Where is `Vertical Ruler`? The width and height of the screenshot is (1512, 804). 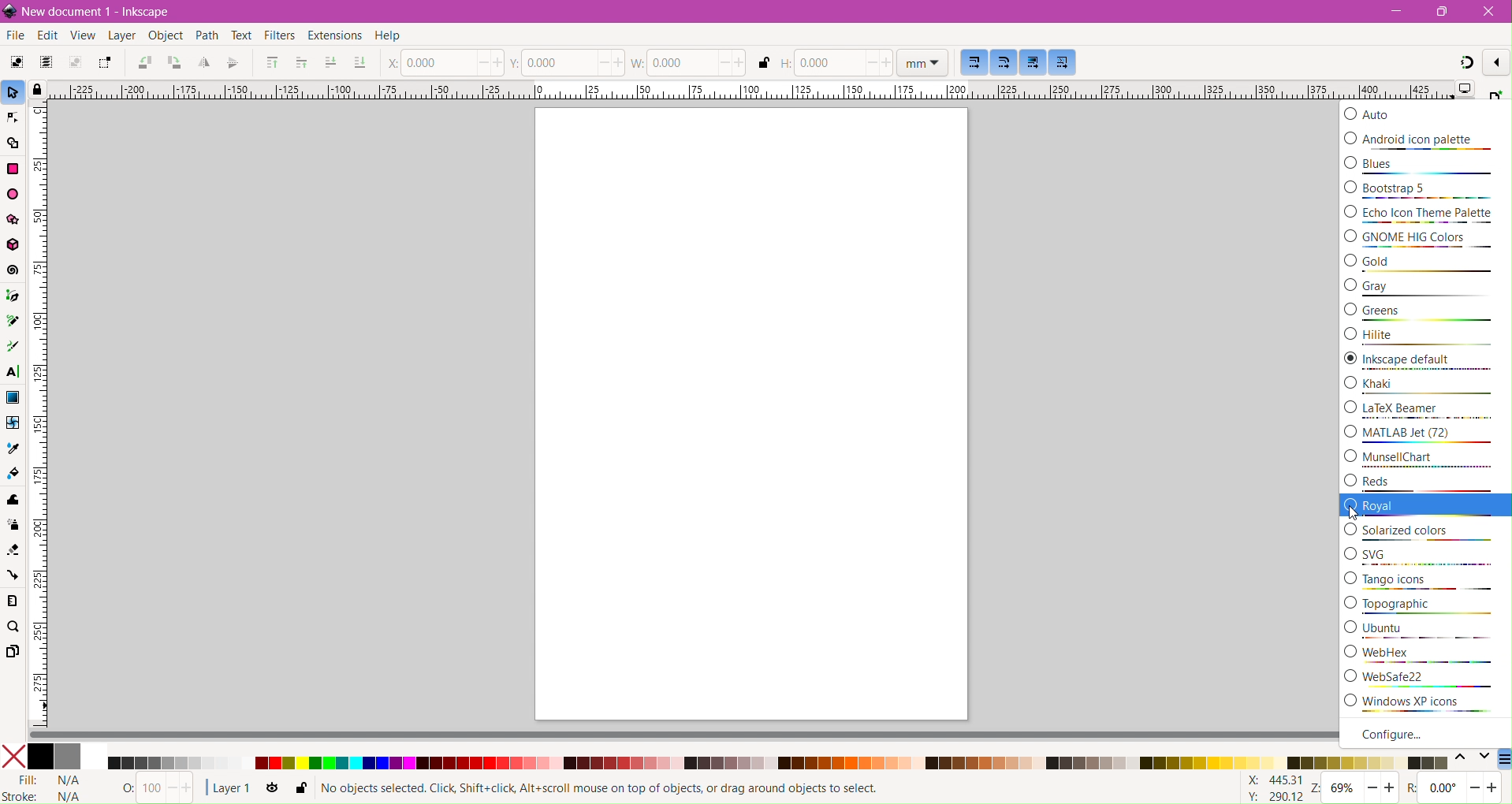 Vertical Ruler is located at coordinates (38, 415).